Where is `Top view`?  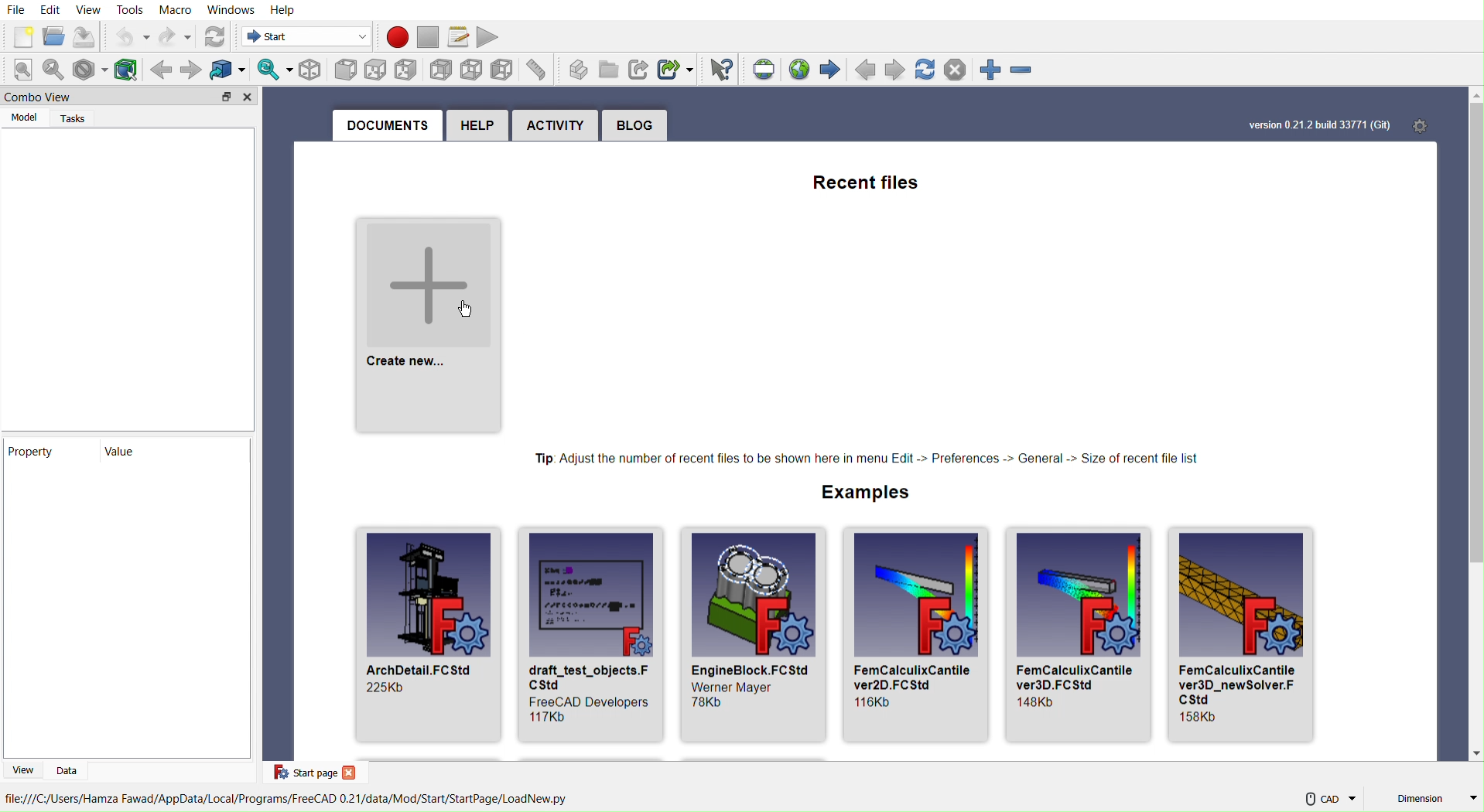
Top view is located at coordinates (379, 68).